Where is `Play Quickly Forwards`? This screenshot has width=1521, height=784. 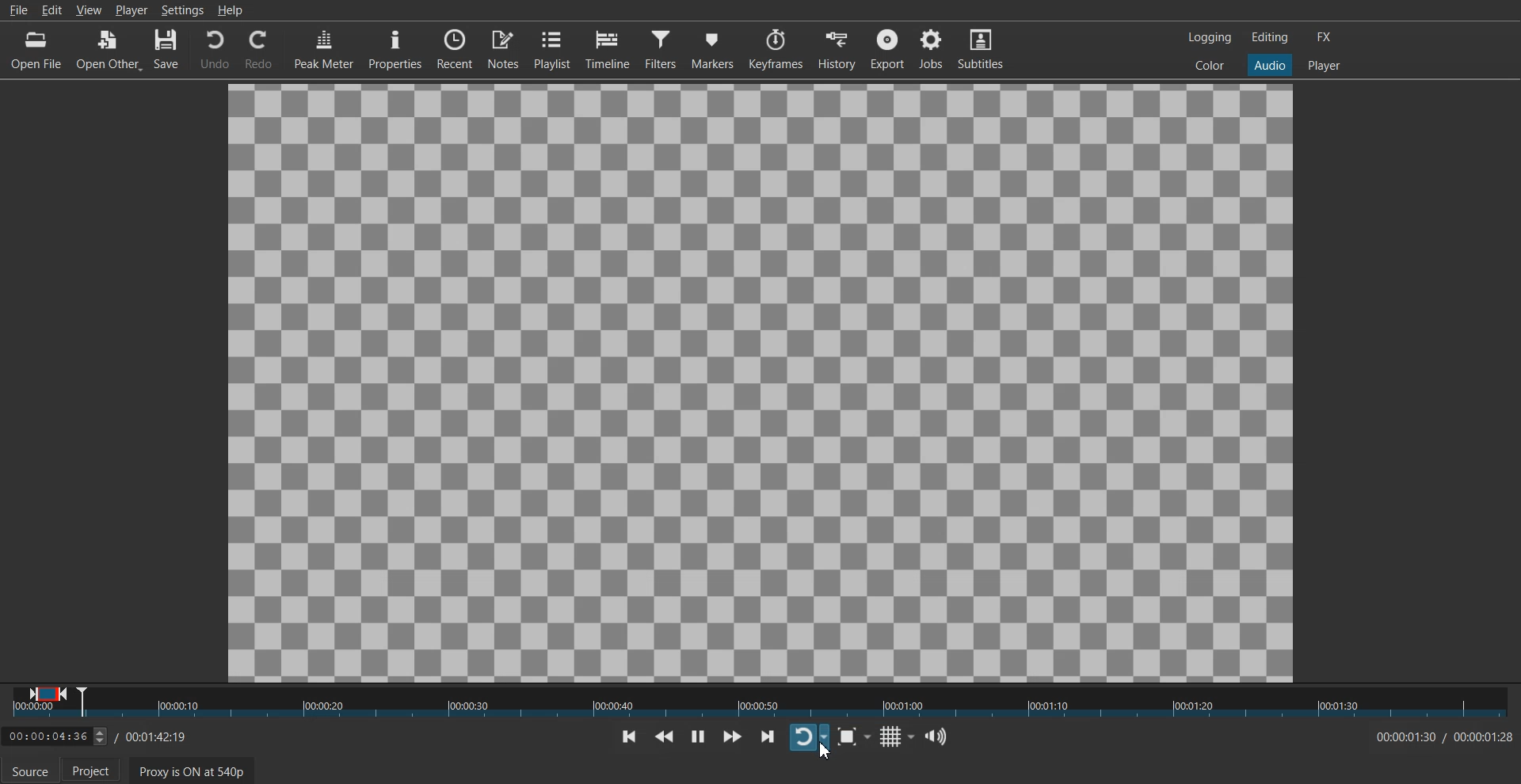
Play Quickly Forwards is located at coordinates (732, 736).